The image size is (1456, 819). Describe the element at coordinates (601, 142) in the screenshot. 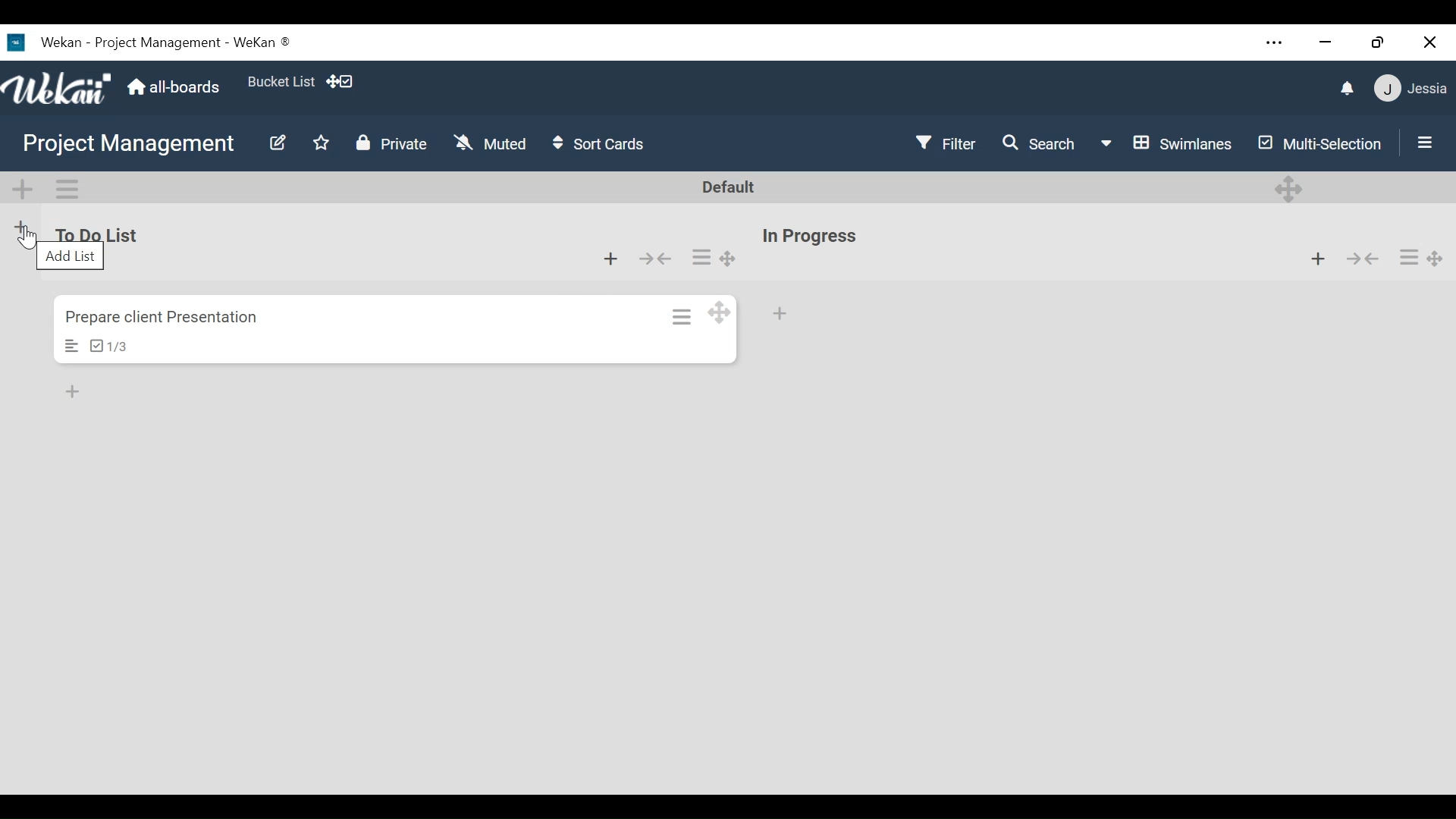

I see `Sort cards` at that location.